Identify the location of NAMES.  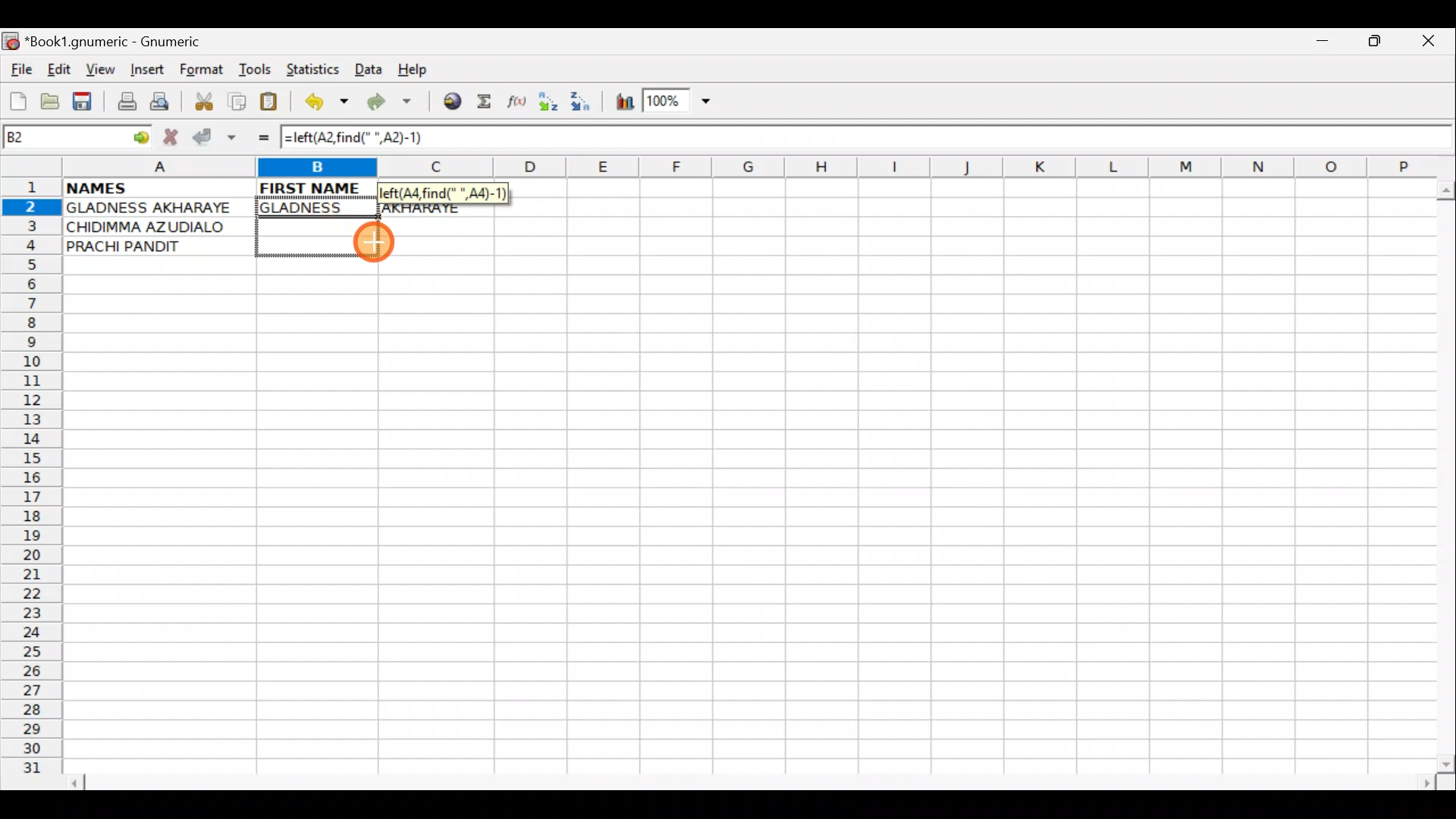
(142, 187).